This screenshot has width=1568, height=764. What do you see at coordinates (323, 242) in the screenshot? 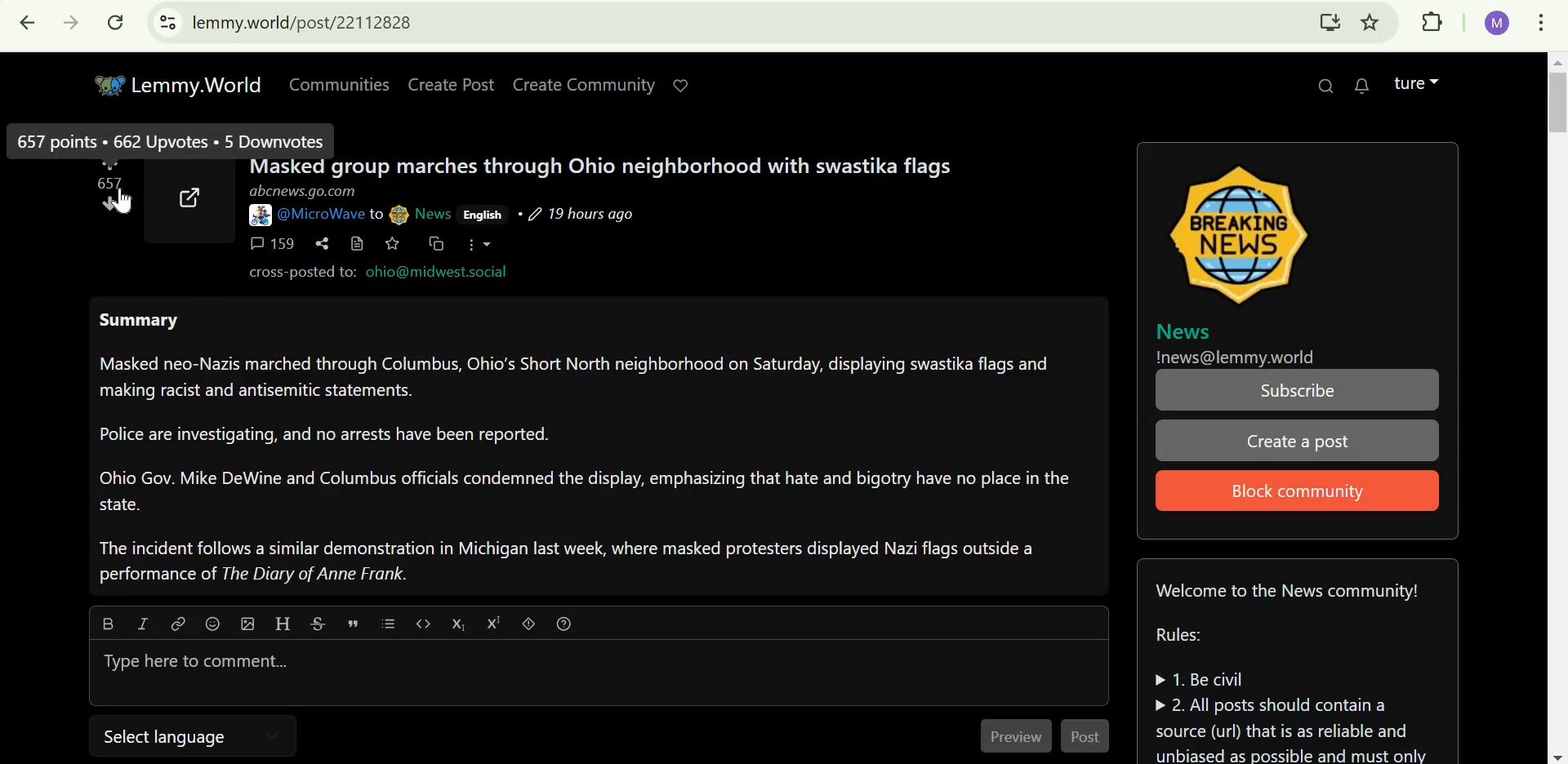
I see `share` at bounding box center [323, 242].